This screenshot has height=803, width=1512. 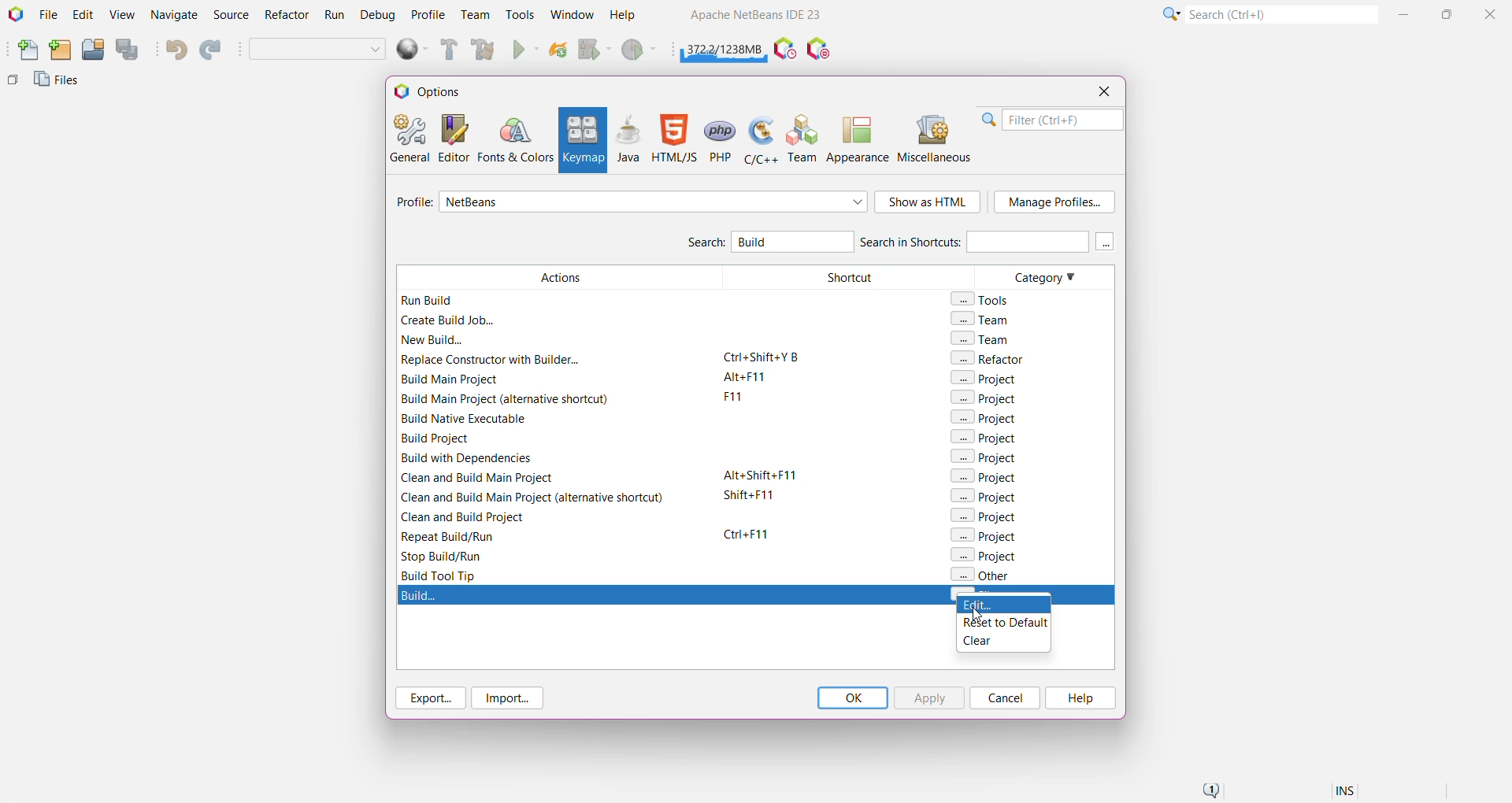 What do you see at coordinates (756, 594) in the screenshot?
I see `Searched Action displayed in the list ` at bounding box center [756, 594].